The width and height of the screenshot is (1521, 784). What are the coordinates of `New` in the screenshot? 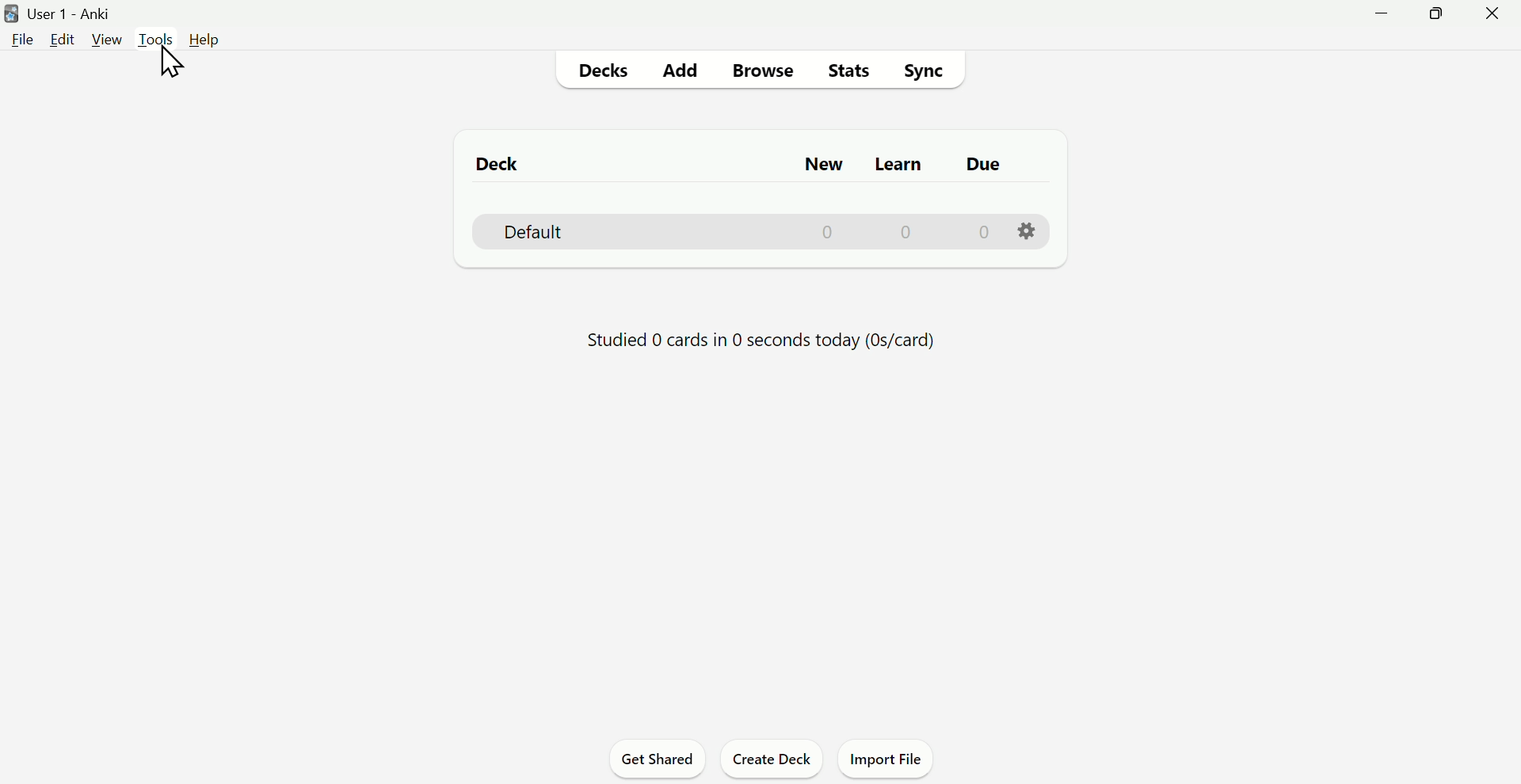 It's located at (816, 165).